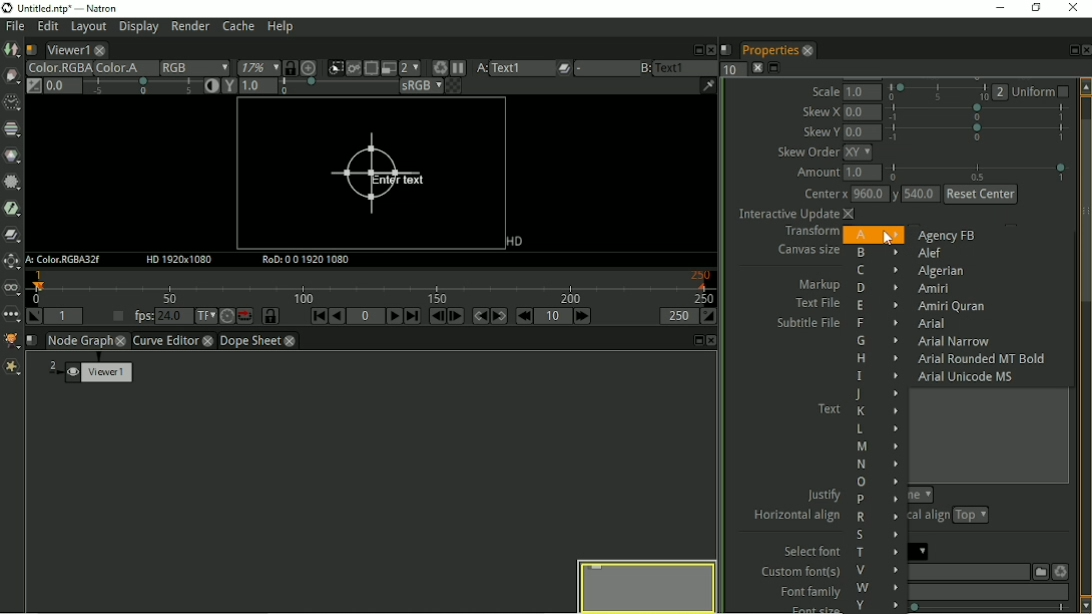  Describe the element at coordinates (876, 411) in the screenshot. I see `K` at that location.